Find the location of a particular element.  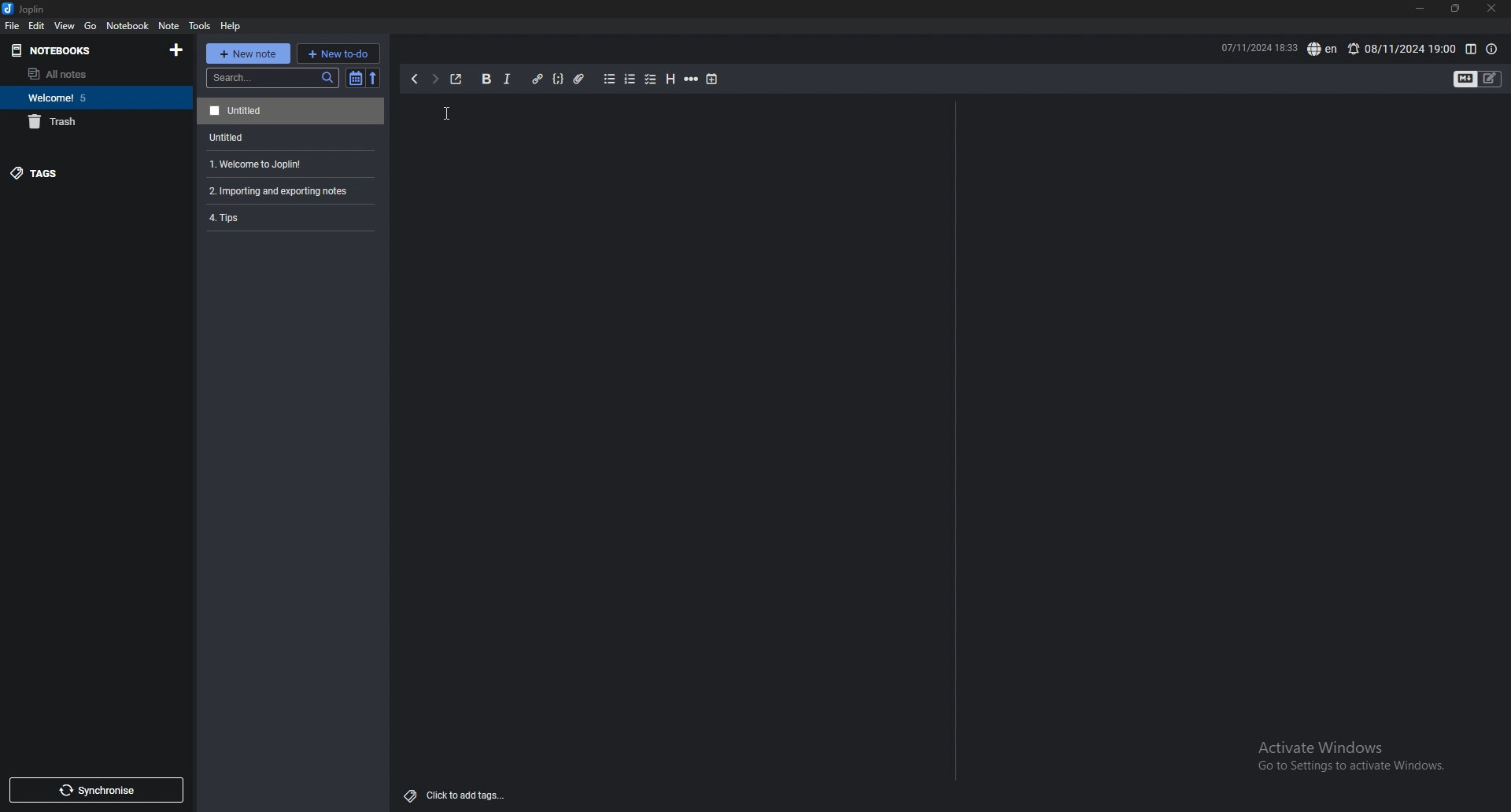

trash is located at coordinates (93, 121).